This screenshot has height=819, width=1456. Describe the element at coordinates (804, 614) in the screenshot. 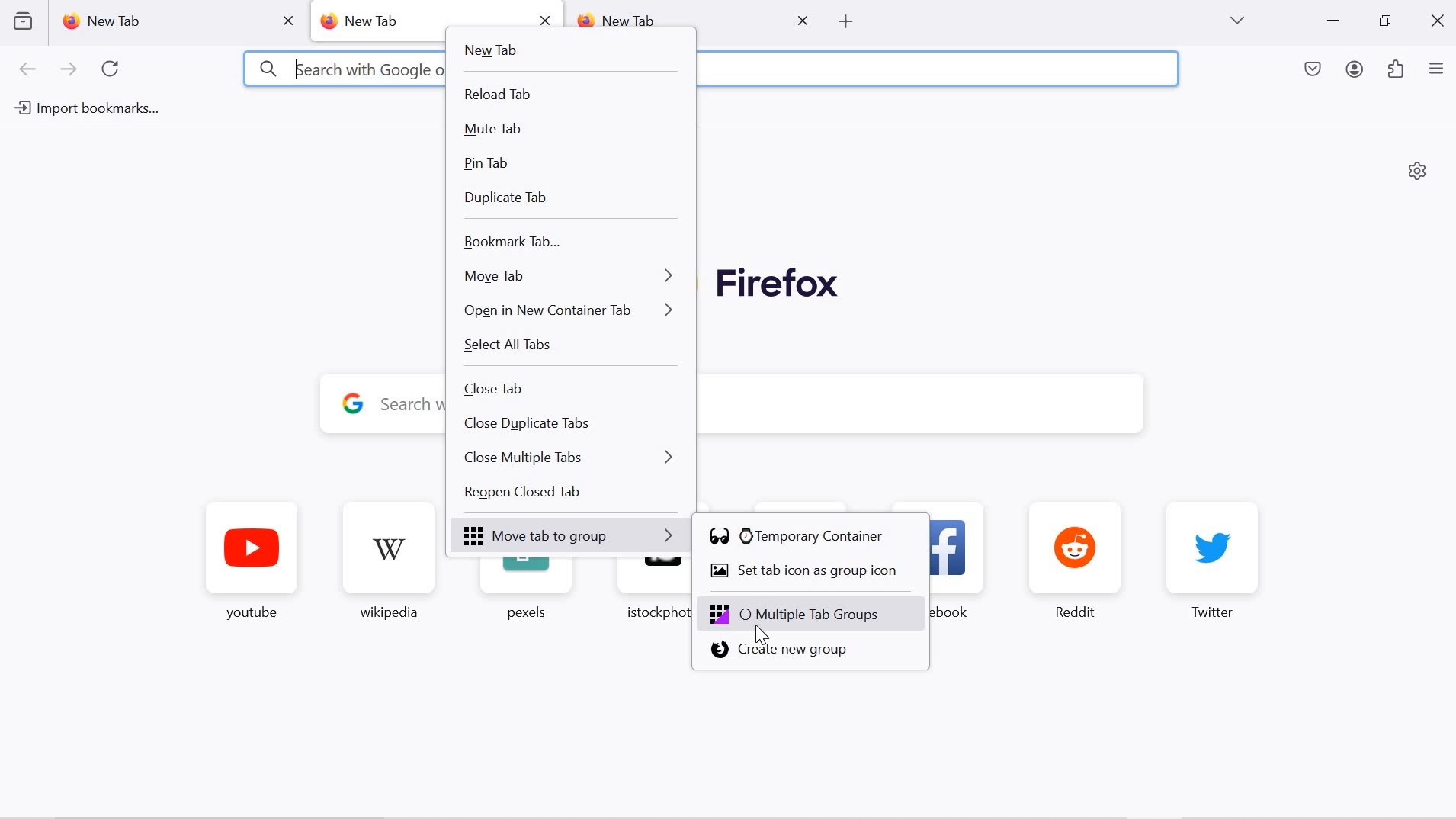

I see `Multiple tab groups` at that location.